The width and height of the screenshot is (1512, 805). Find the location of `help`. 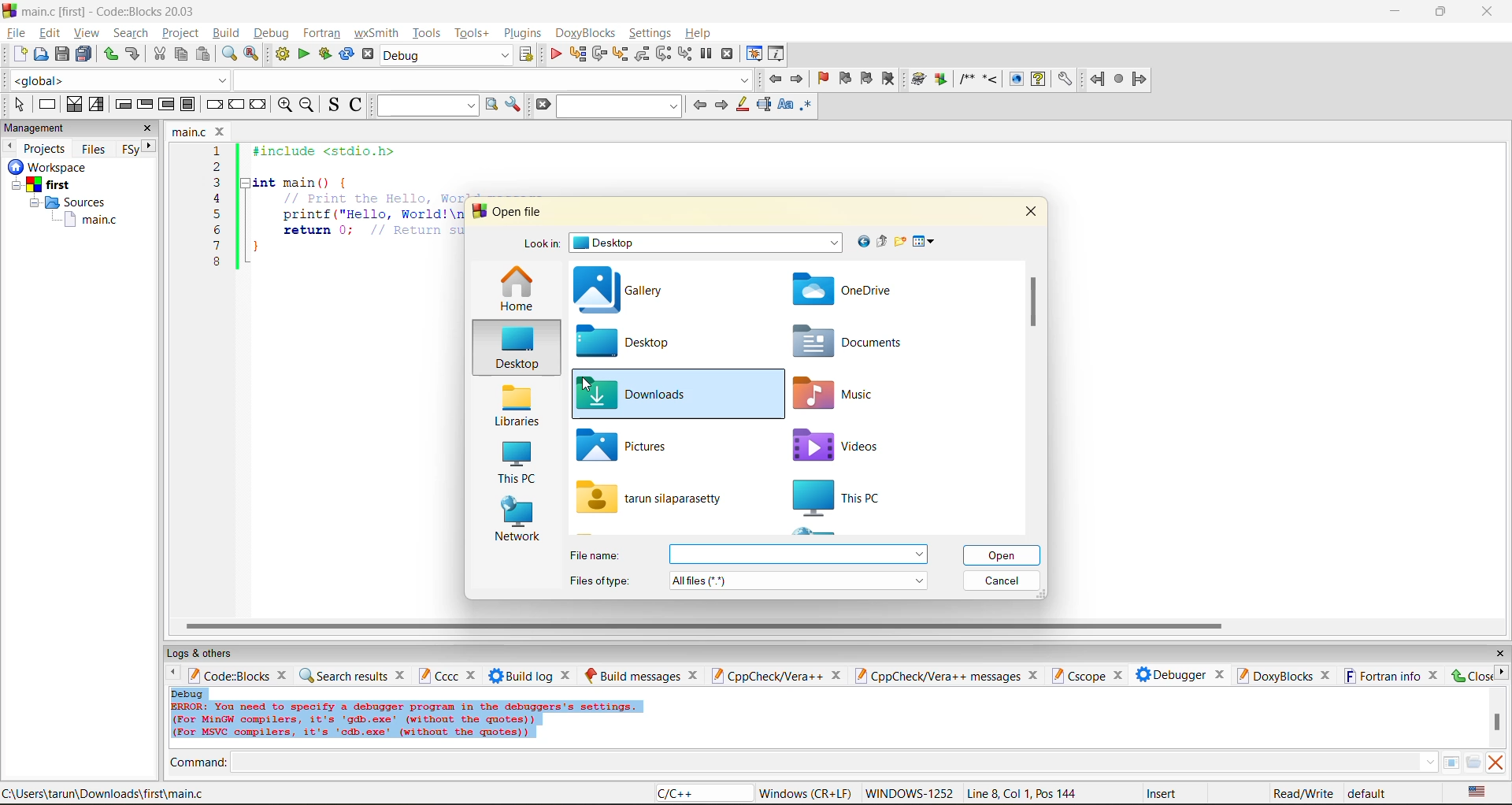

help is located at coordinates (700, 33).